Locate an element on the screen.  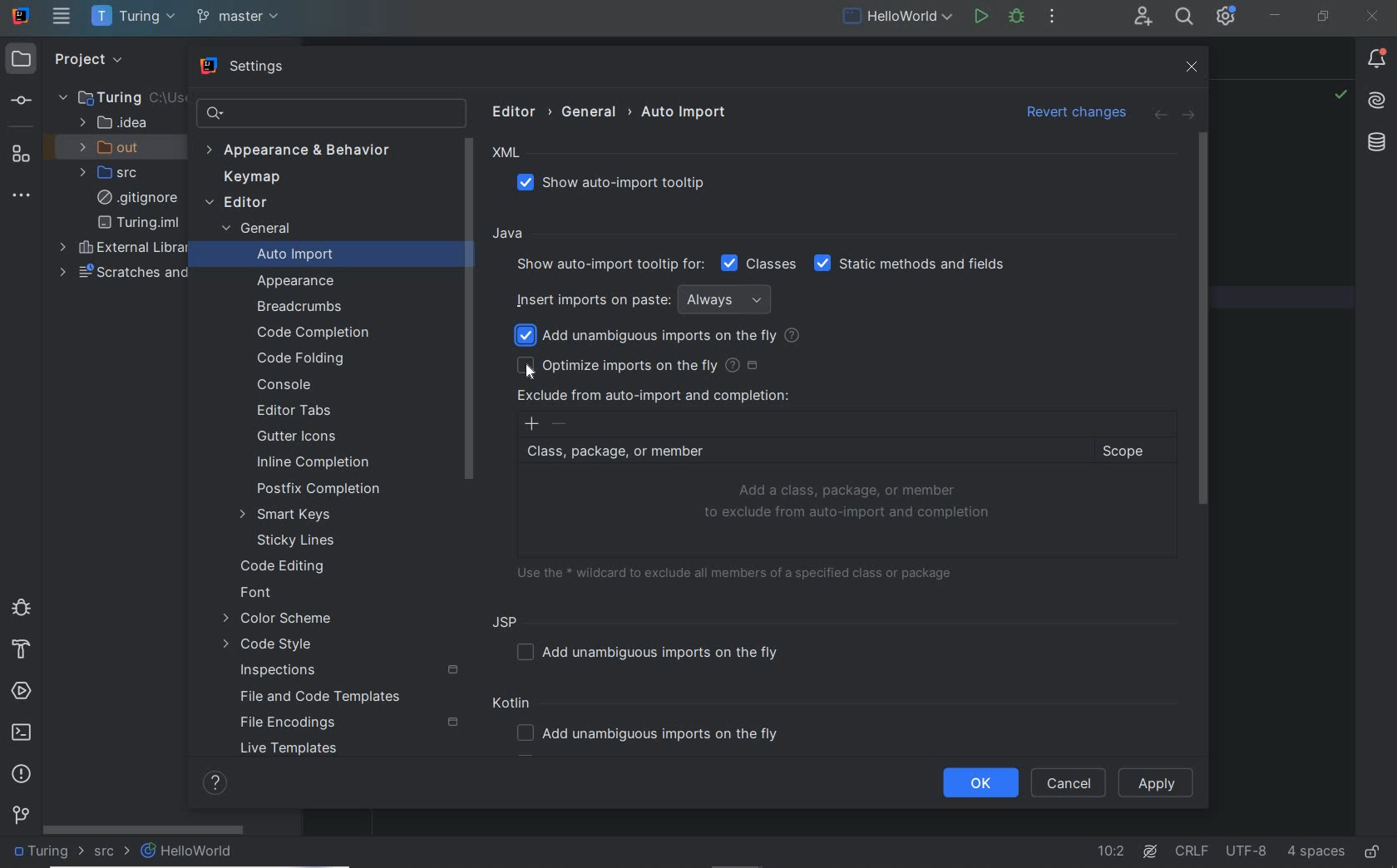
FILE ENCODING is located at coordinates (348, 723).